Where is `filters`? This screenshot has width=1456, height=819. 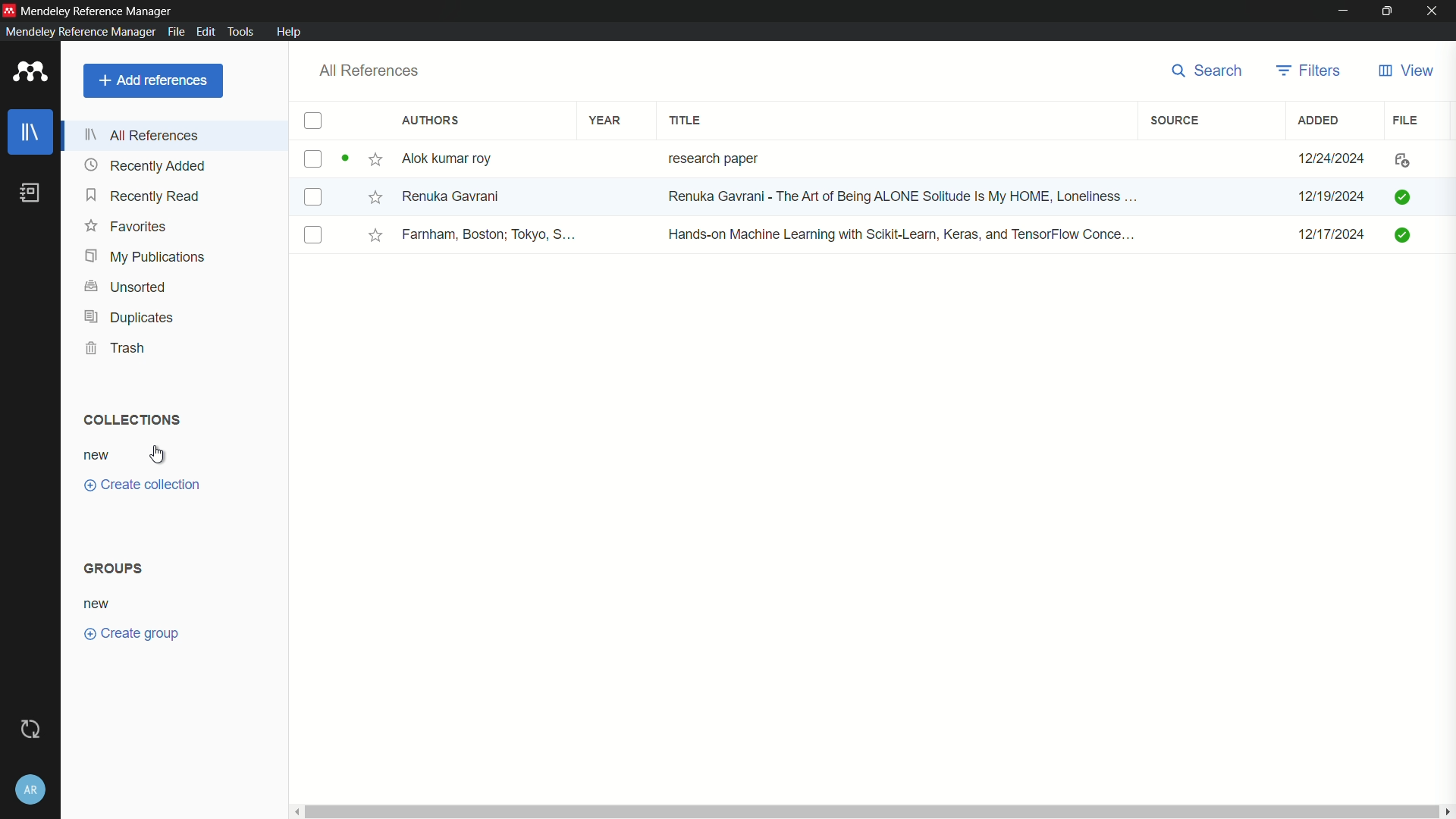
filters is located at coordinates (1310, 71).